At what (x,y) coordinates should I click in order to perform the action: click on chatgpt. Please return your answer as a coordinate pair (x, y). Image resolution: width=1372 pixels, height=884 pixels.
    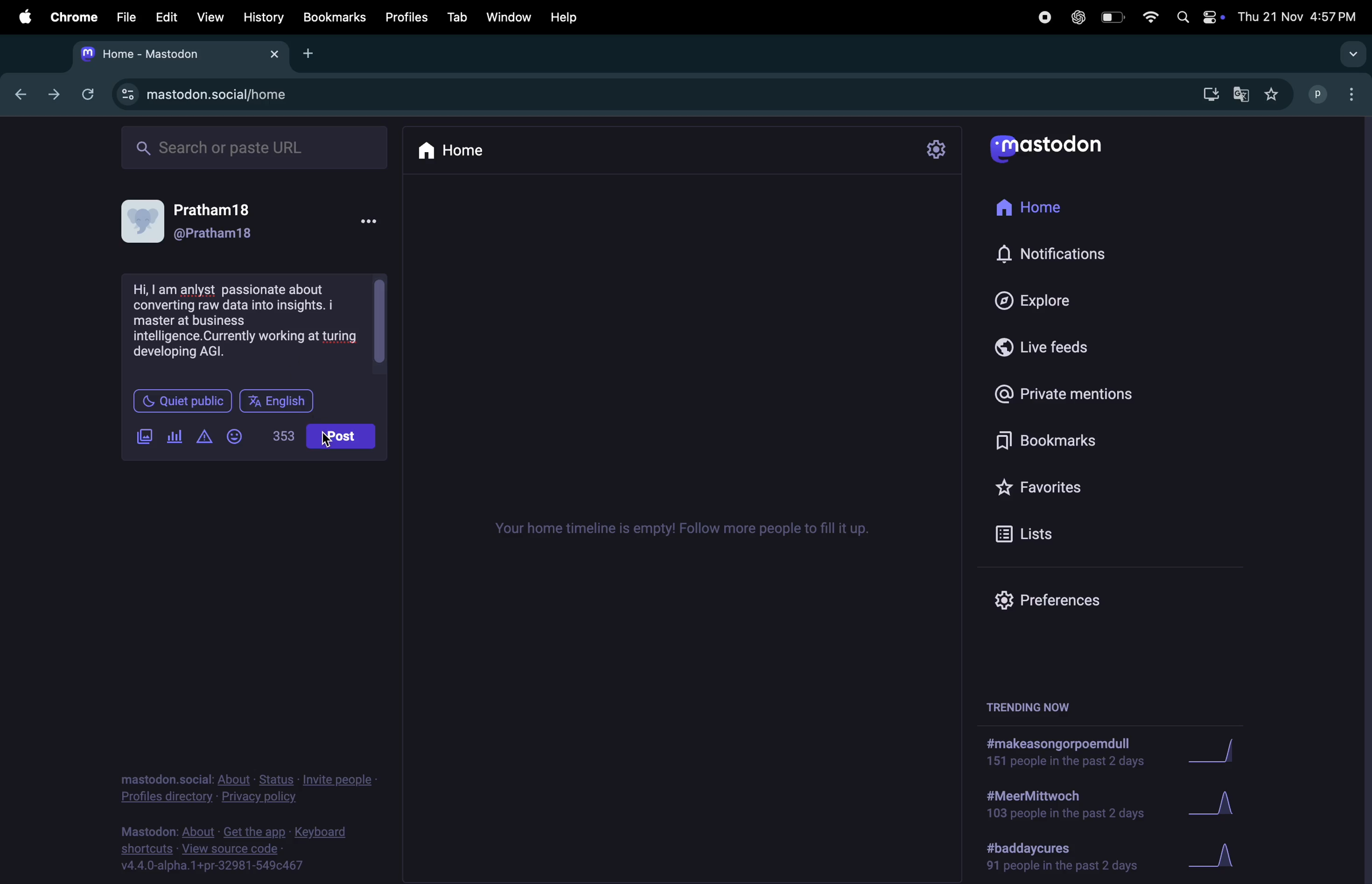
    Looking at the image, I should click on (1075, 17).